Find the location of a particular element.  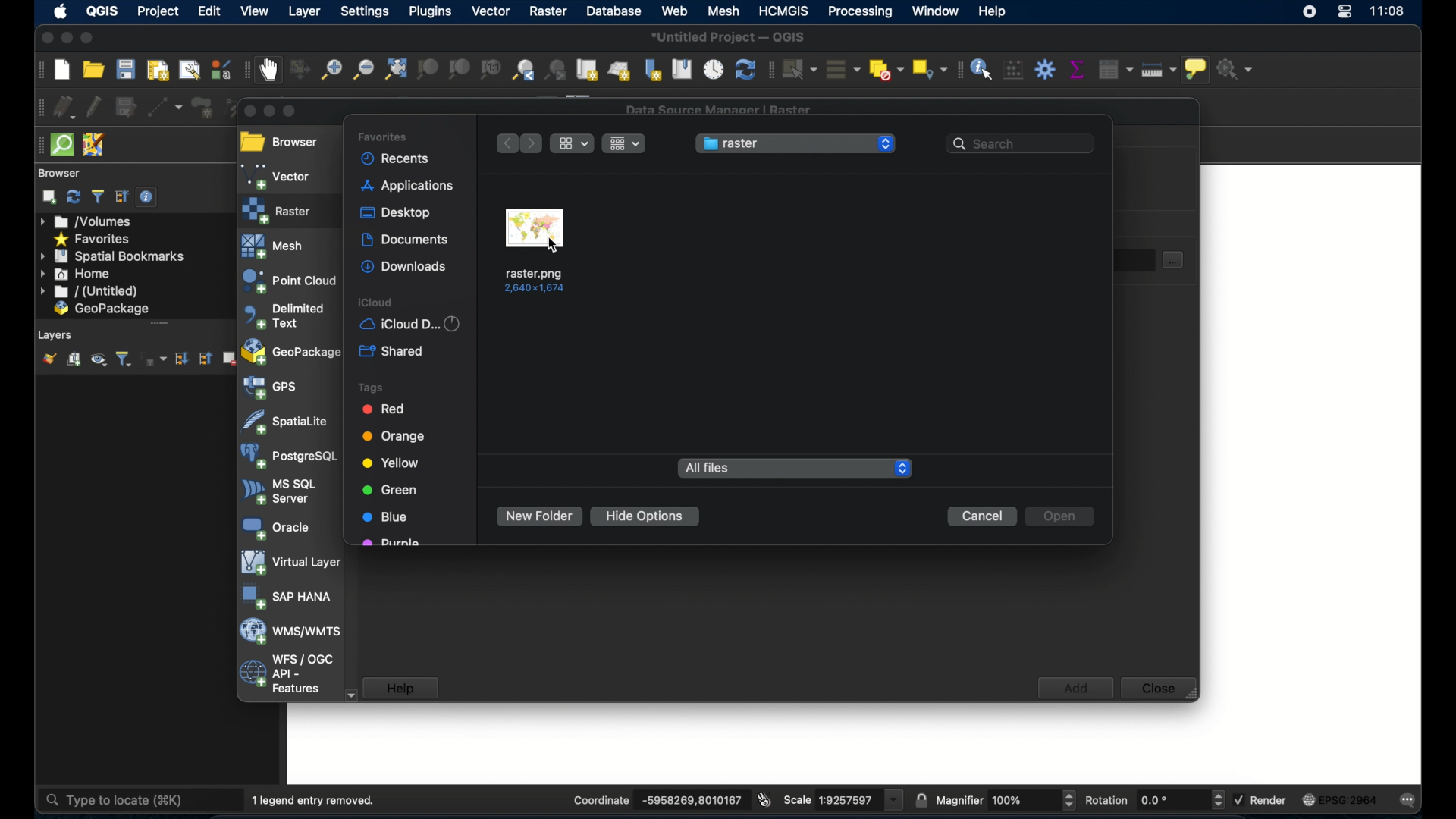

application is located at coordinates (409, 184).